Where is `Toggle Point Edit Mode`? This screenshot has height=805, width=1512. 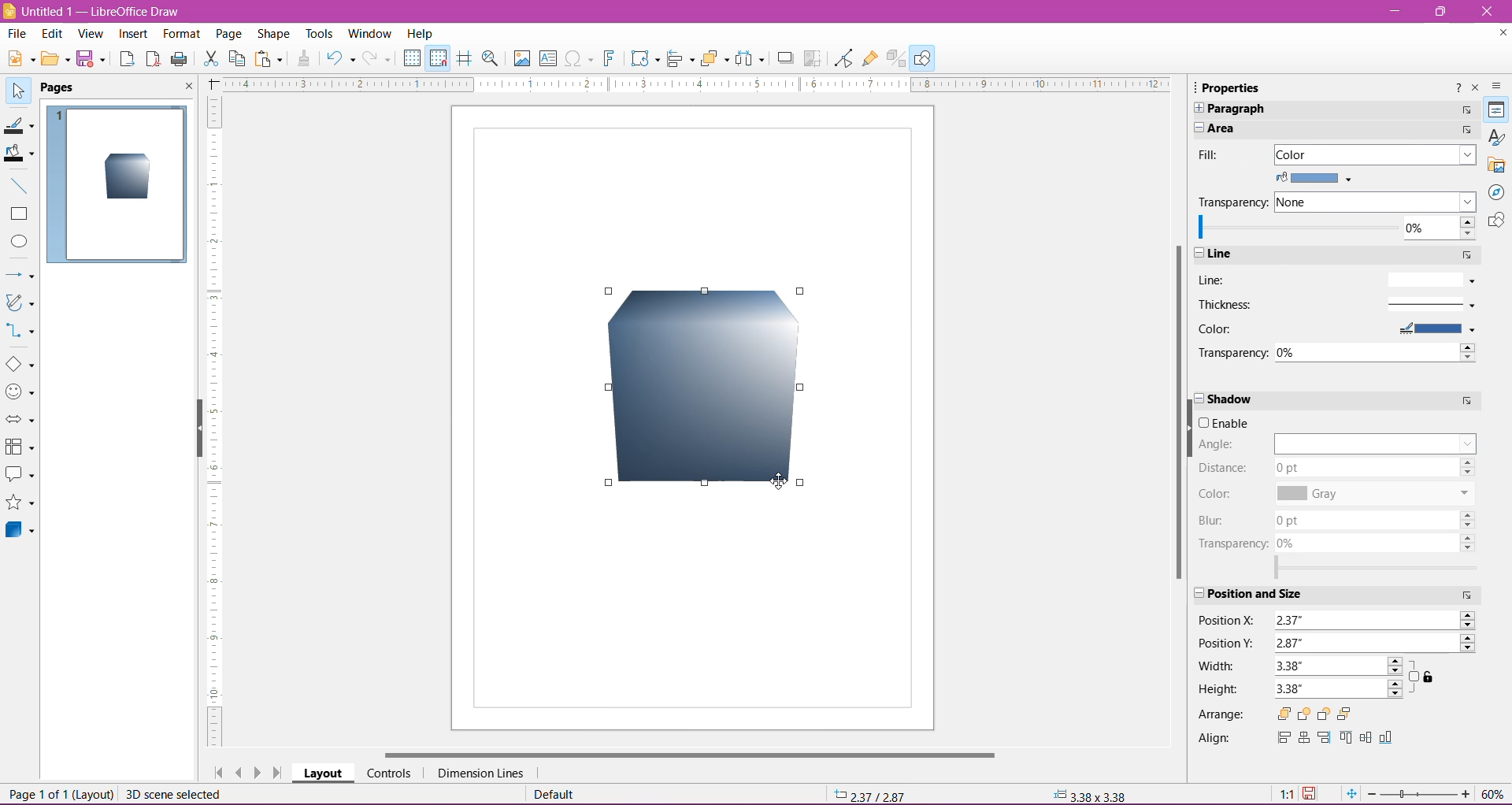
Toggle Point Edit Mode is located at coordinates (843, 58).